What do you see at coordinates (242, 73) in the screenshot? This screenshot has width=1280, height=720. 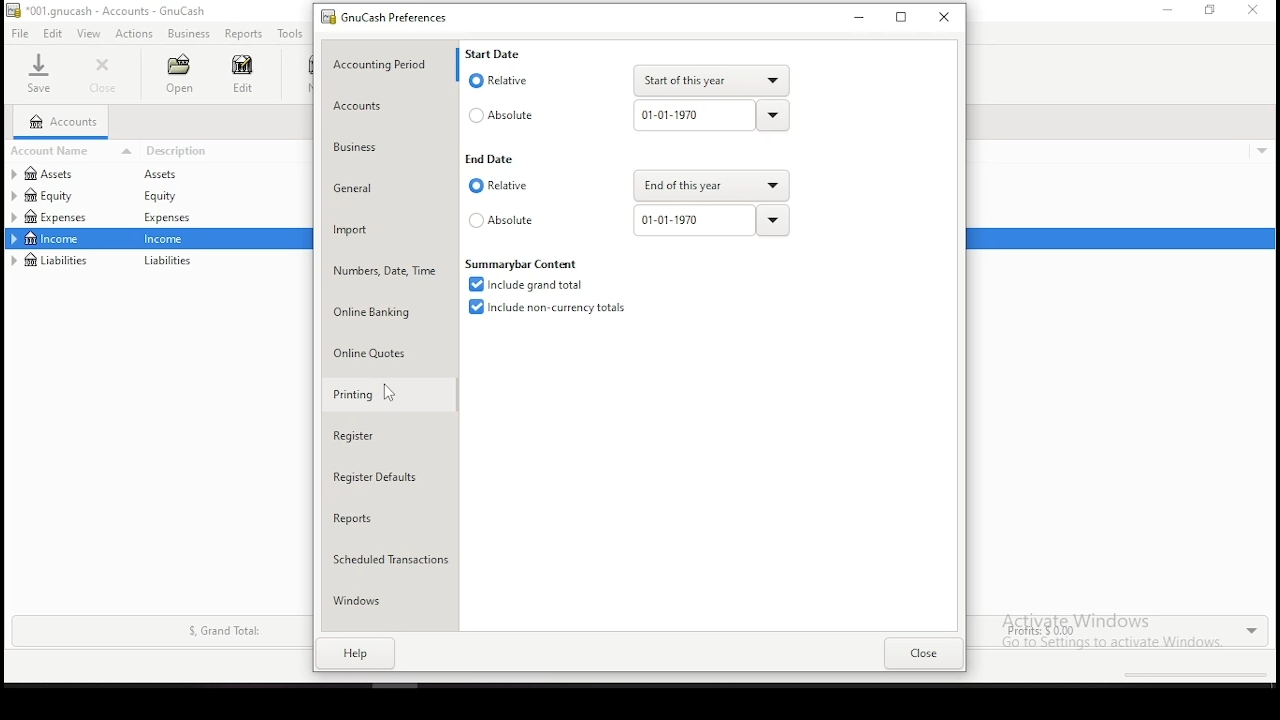 I see `edit` at bounding box center [242, 73].